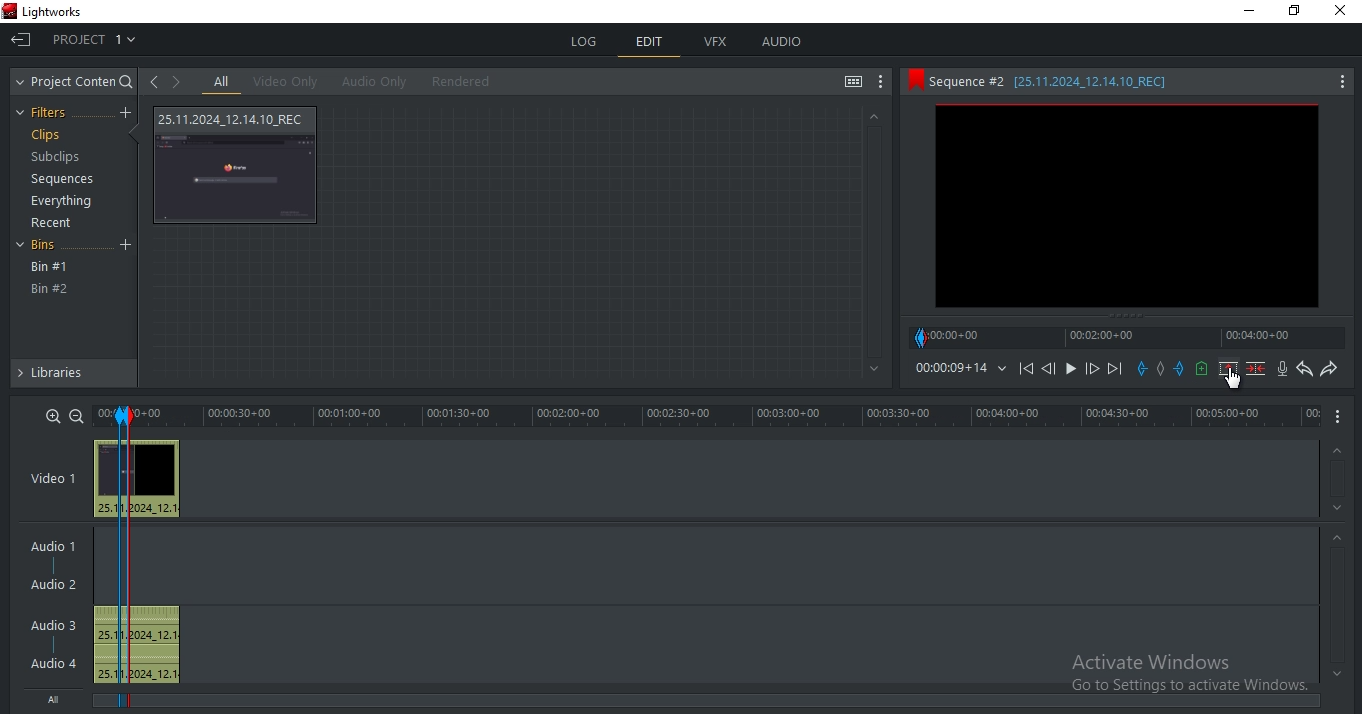  What do you see at coordinates (855, 80) in the screenshot?
I see `` at bounding box center [855, 80].